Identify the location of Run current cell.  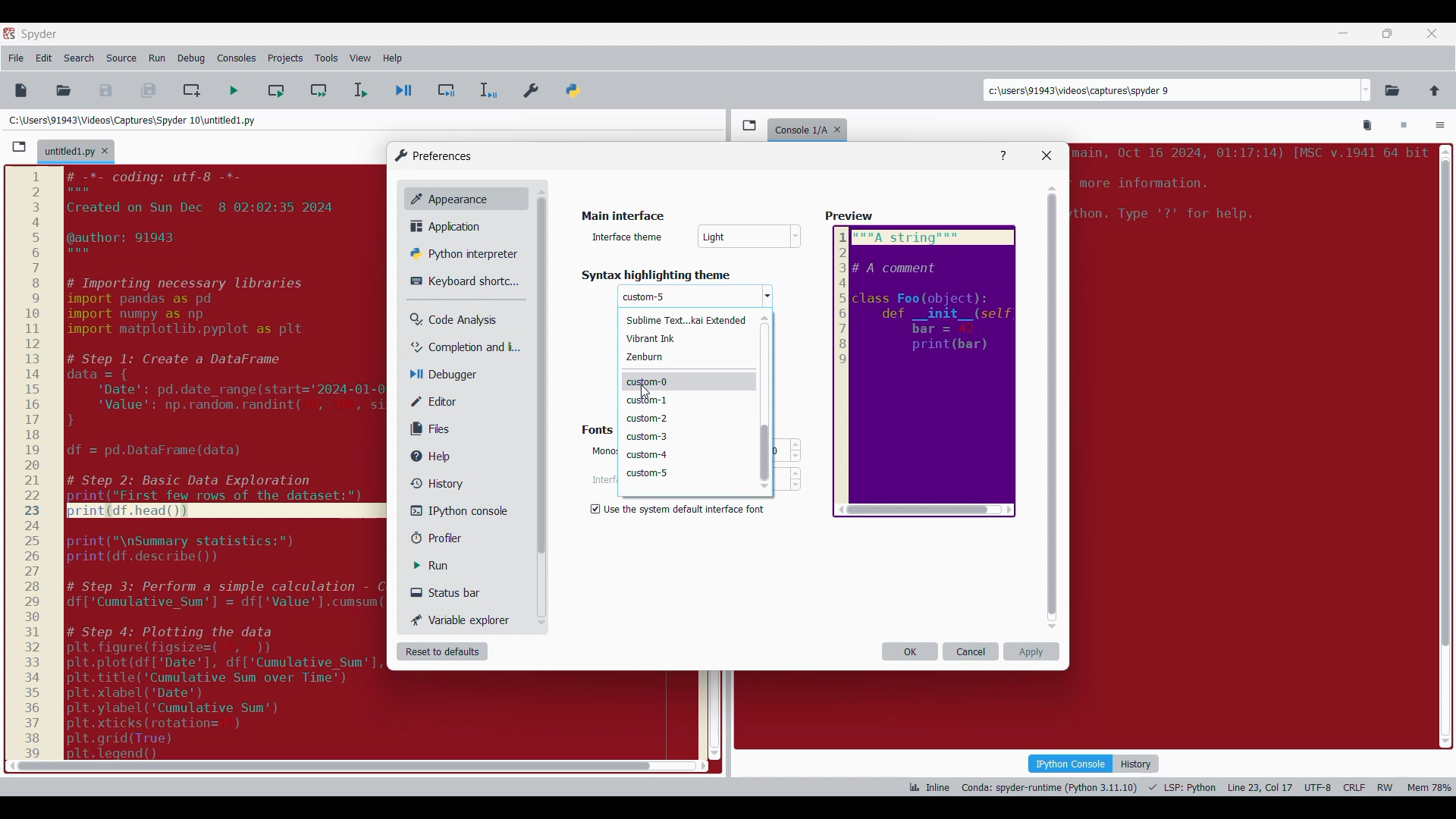
(276, 90).